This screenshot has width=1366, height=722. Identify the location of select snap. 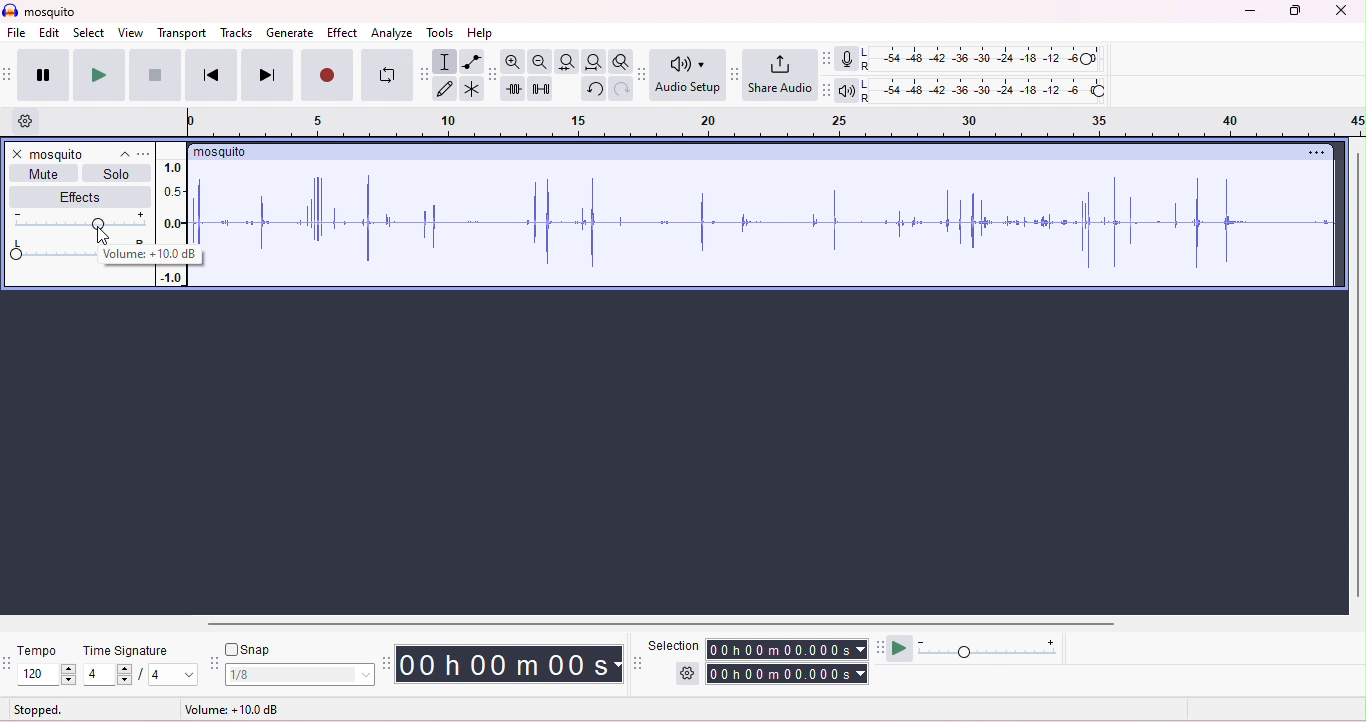
(301, 675).